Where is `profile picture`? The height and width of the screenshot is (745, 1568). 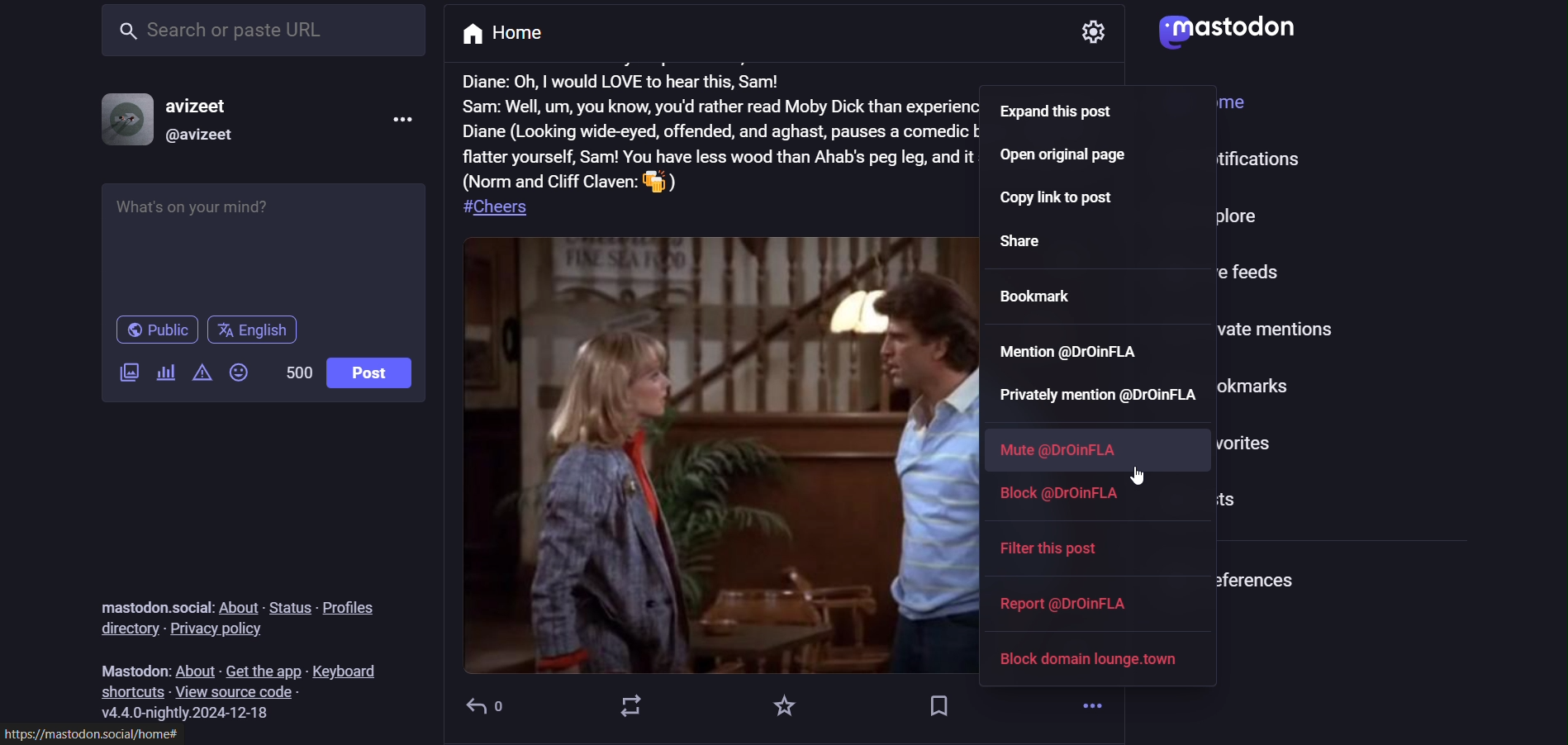 profile picture is located at coordinates (121, 120).